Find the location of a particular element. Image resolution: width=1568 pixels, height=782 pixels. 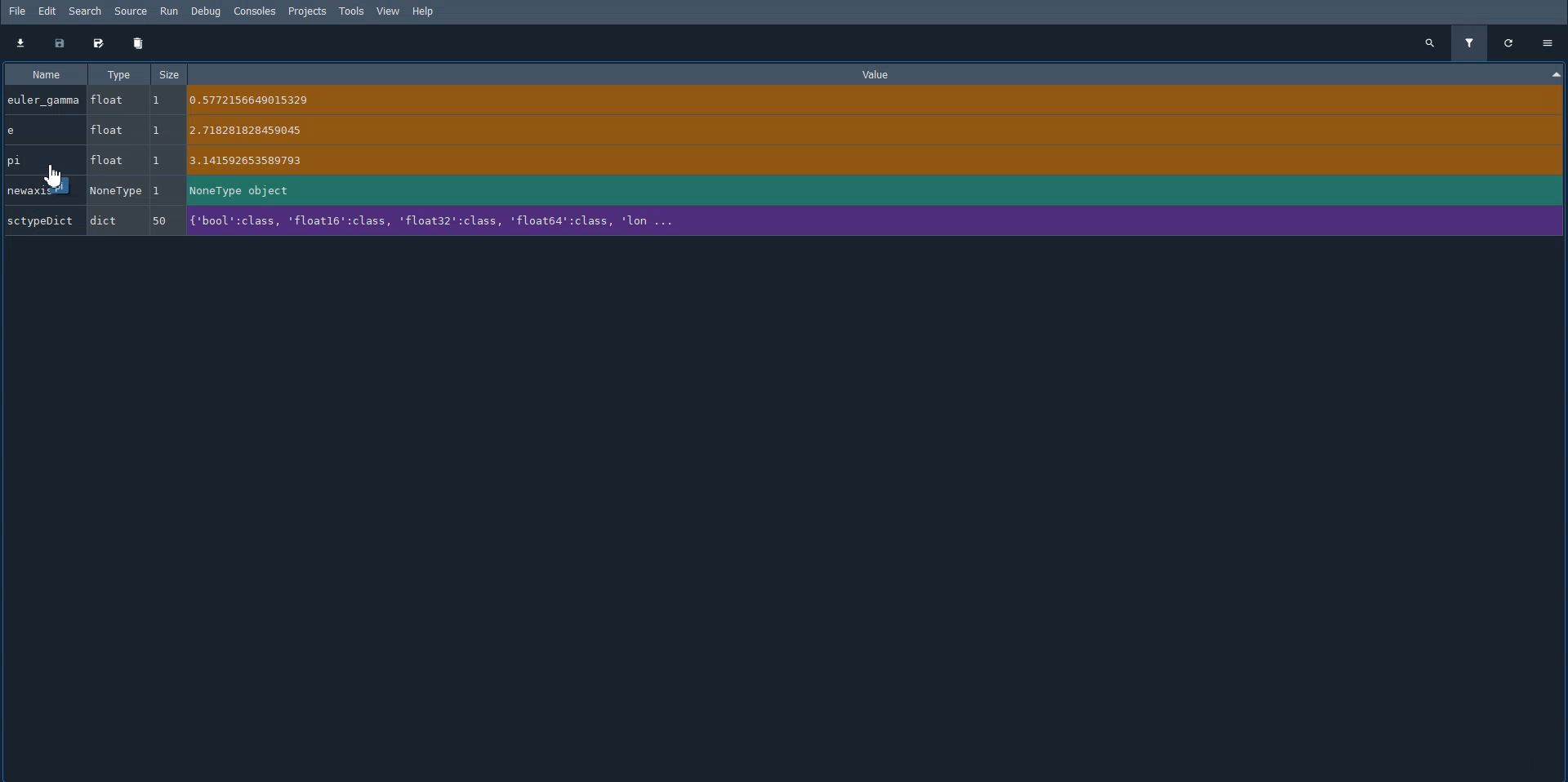

Size is located at coordinates (171, 73).